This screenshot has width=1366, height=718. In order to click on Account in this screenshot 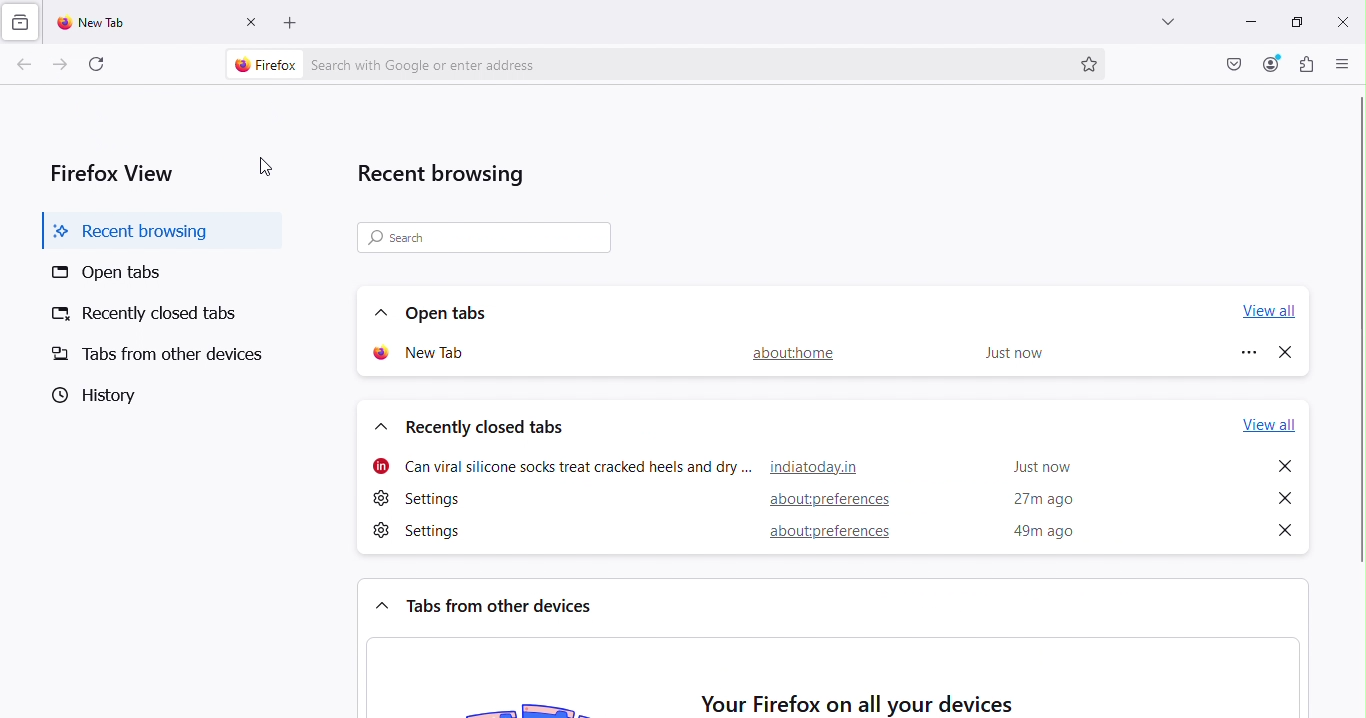, I will do `click(1271, 63)`.